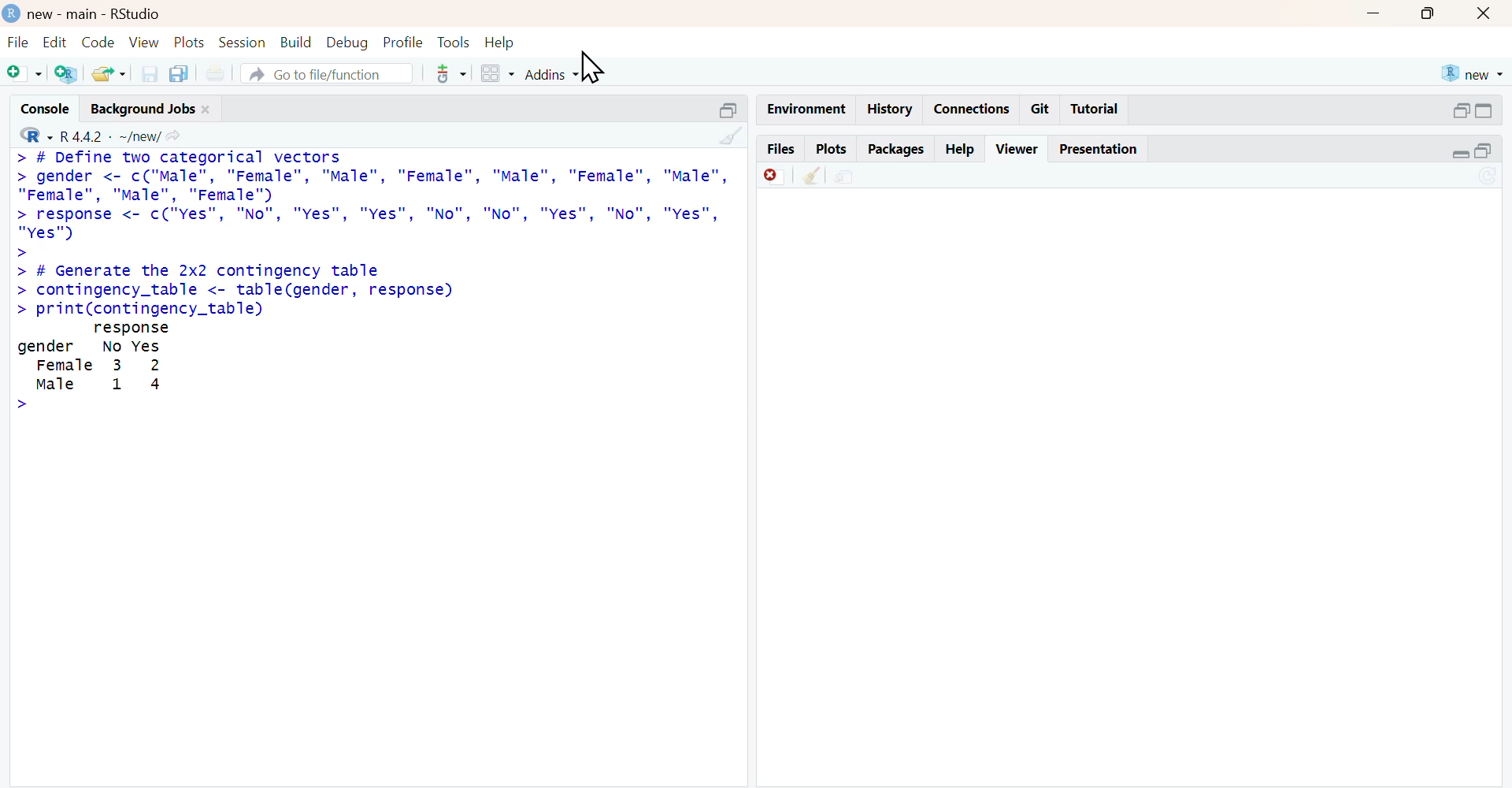  Describe the element at coordinates (728, 111) in the screenshot. I see `open in separate window` at that location.